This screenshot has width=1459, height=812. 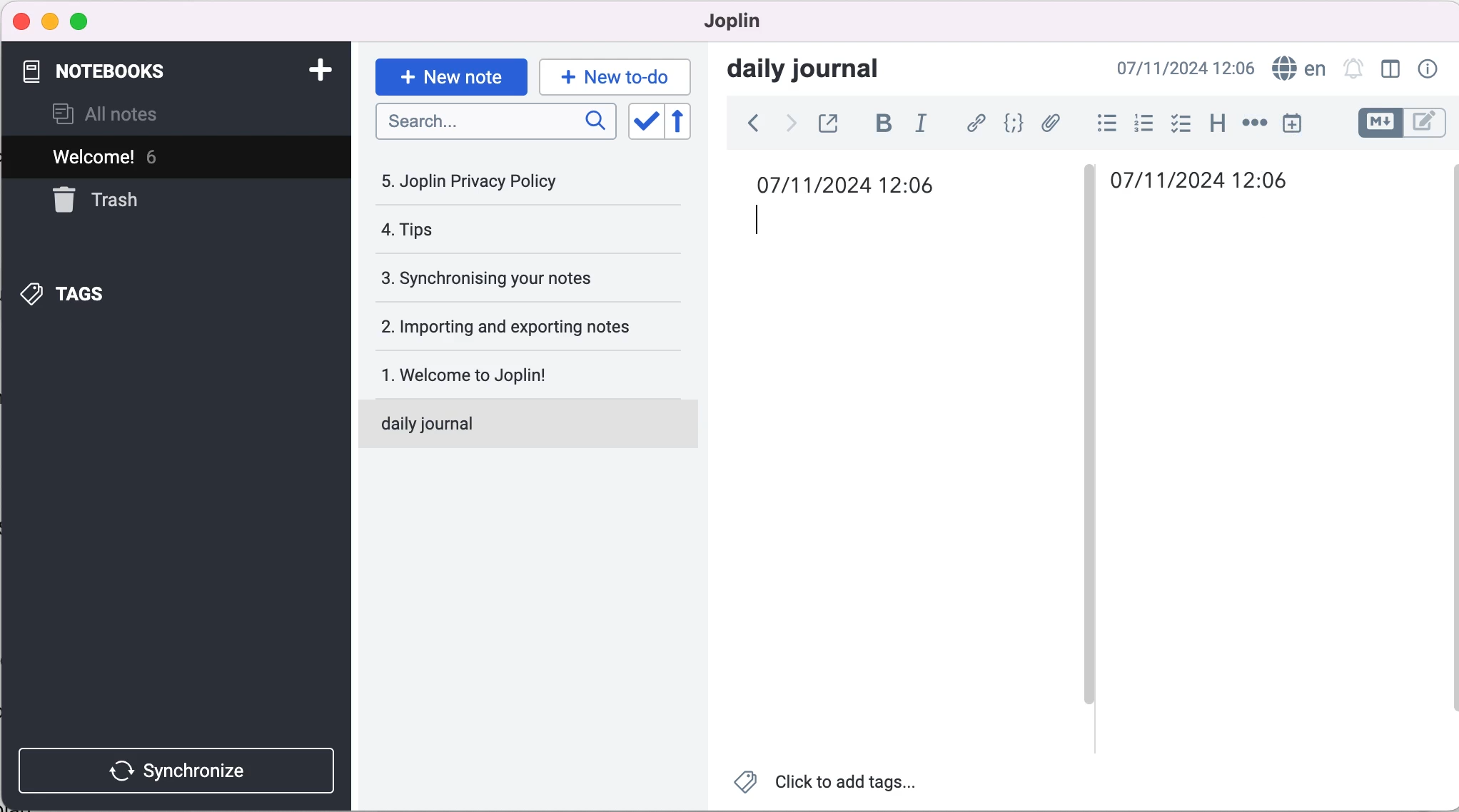 What do you see at coordinates (515, 326) in the screenshot?
I see `importing and exporting notes` at bounding box center [515, 326].